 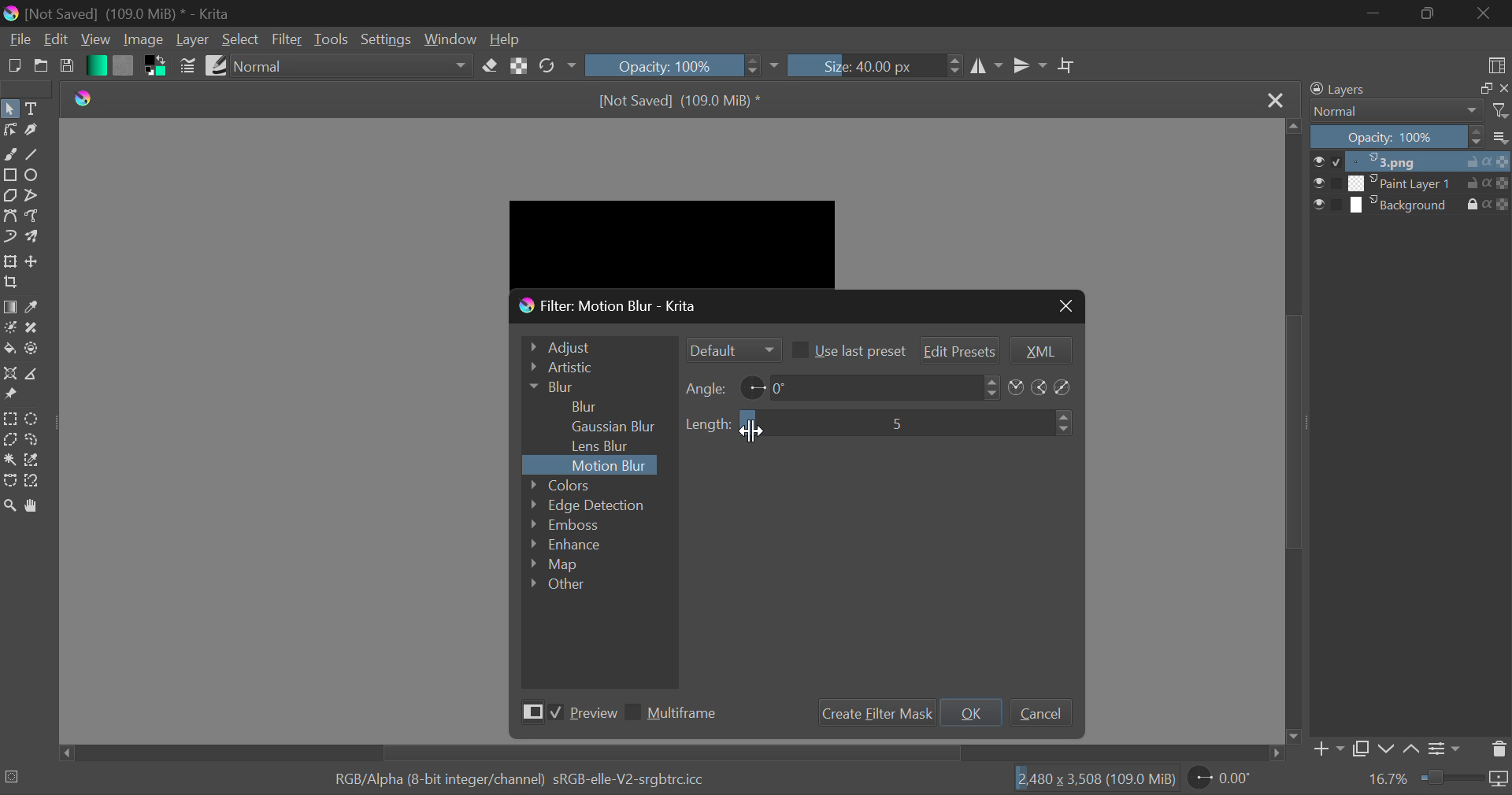 I want to click on Freehand Selection Tool, so click(x=32, y=441).